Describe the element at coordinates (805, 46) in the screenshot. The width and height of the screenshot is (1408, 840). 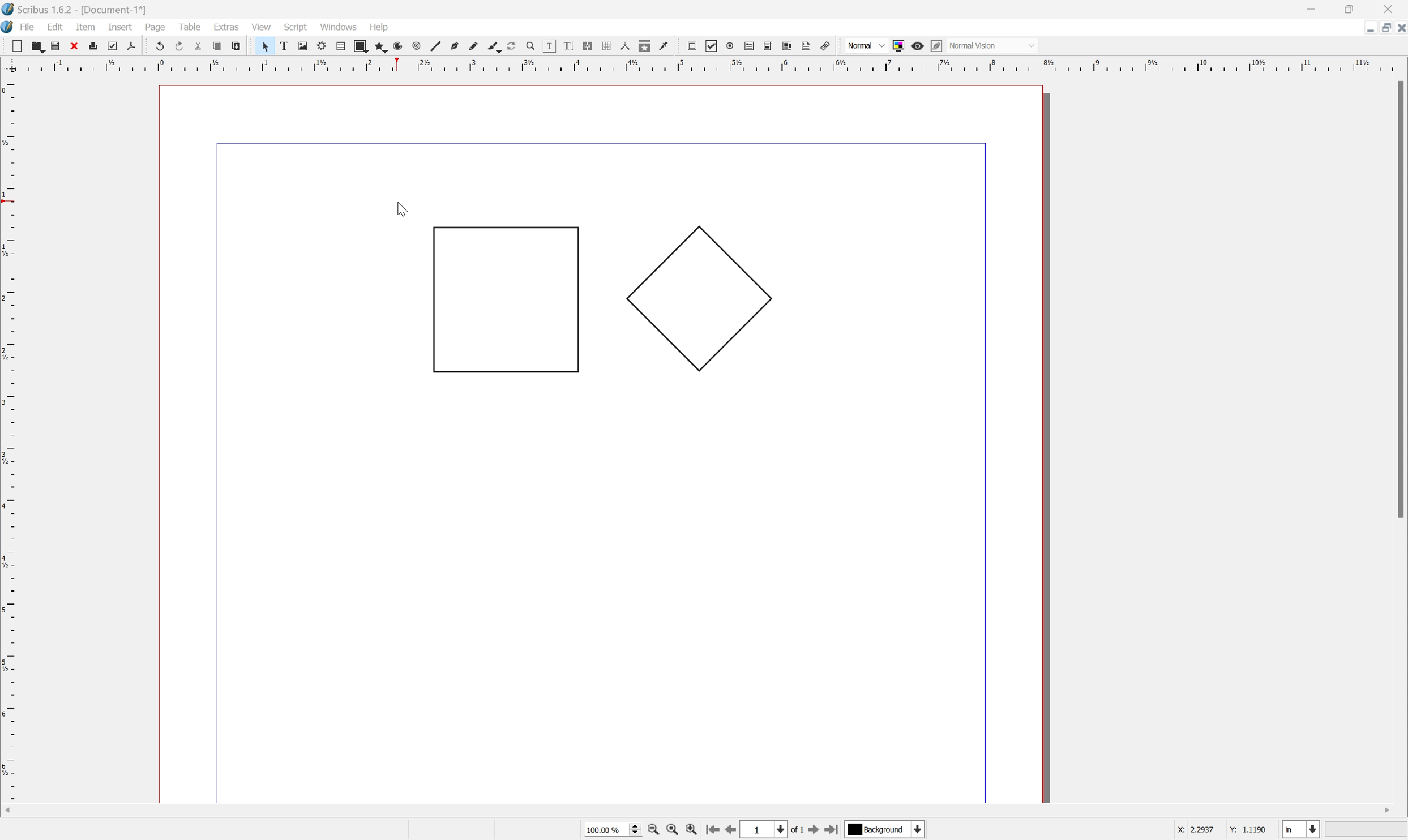
I see `Text annotation` at that location.